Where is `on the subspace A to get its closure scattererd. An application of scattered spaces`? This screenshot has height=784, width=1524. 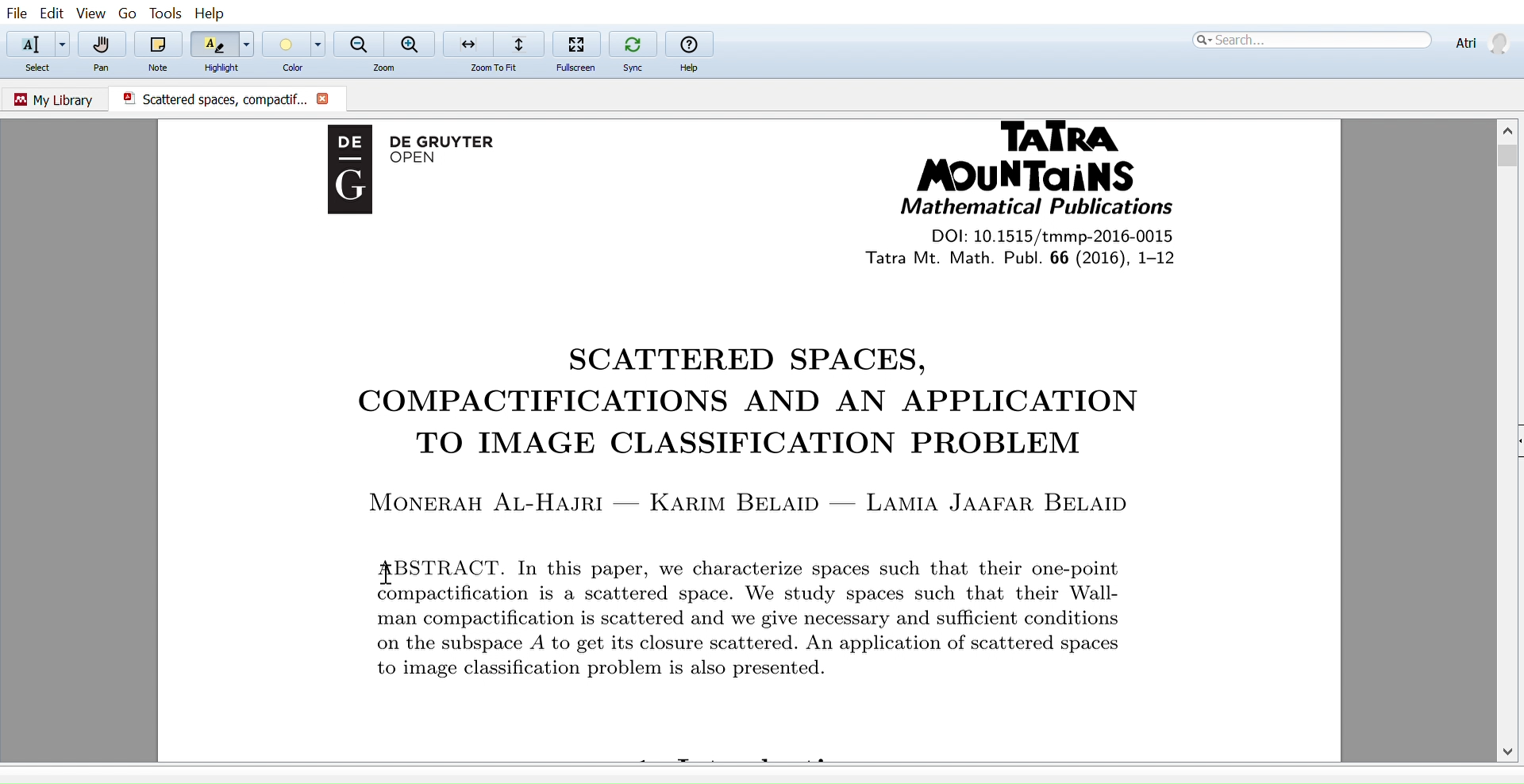
on the subspace A to get its closure scattererd. An application of scattered spaces is located at coordinates (771, 644).